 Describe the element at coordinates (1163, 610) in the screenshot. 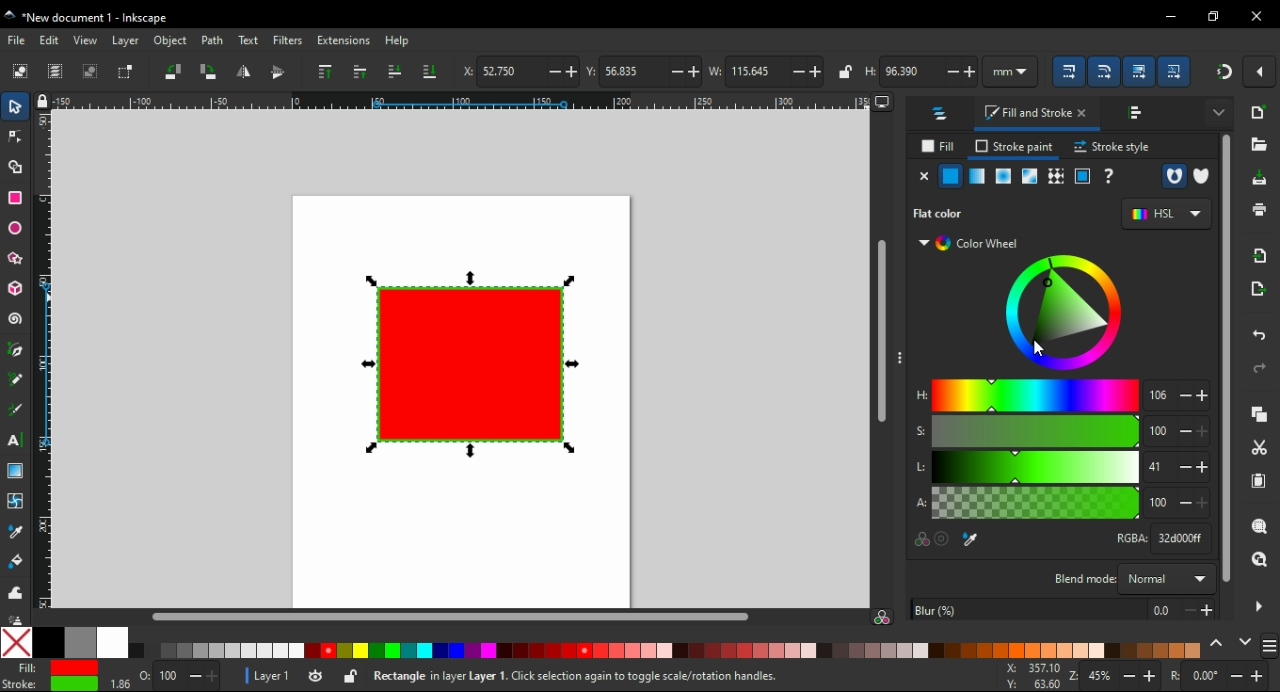

I see `0` at that location.